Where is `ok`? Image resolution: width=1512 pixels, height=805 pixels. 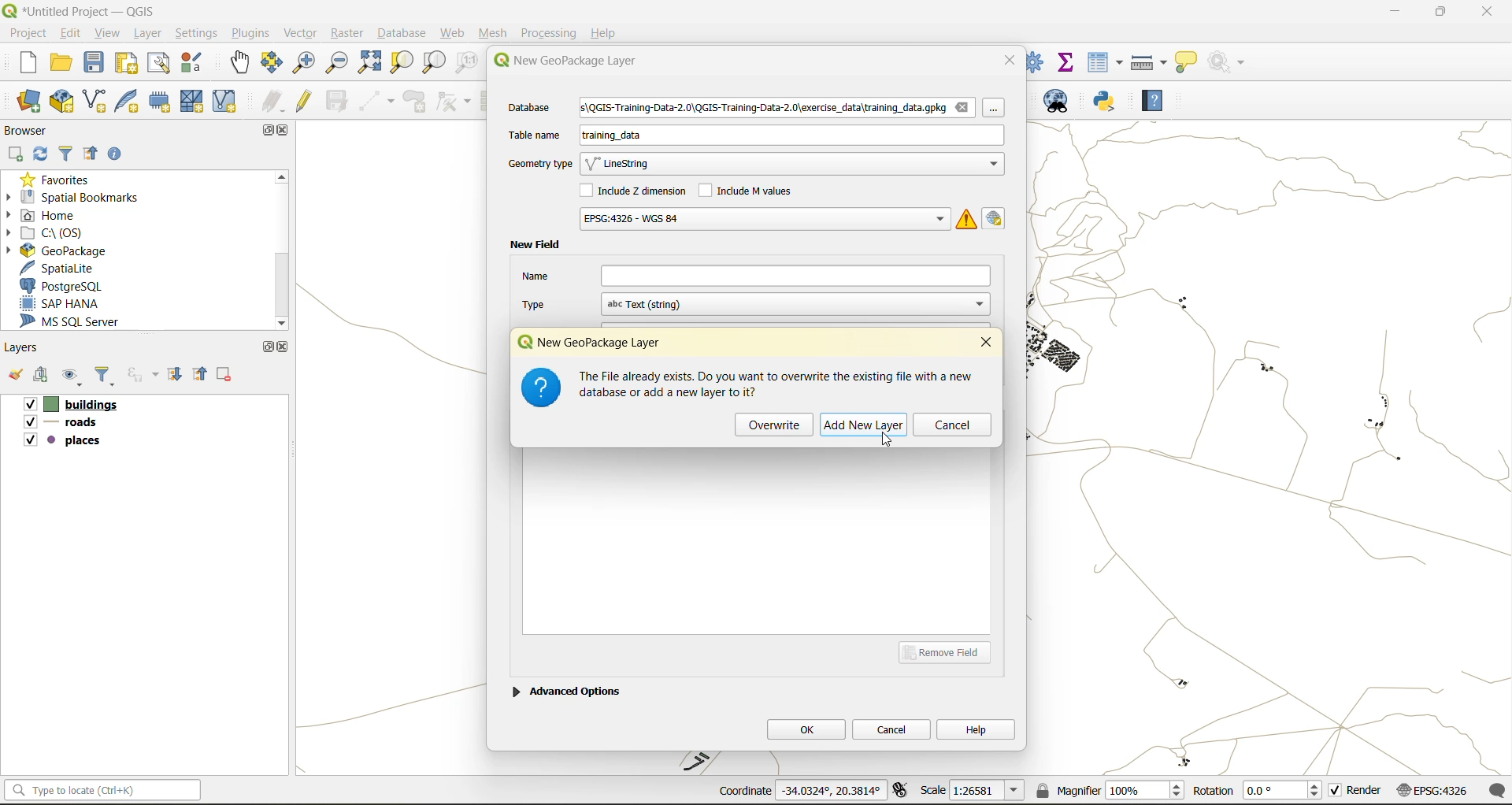 ok is located at coordinates (806, 729).